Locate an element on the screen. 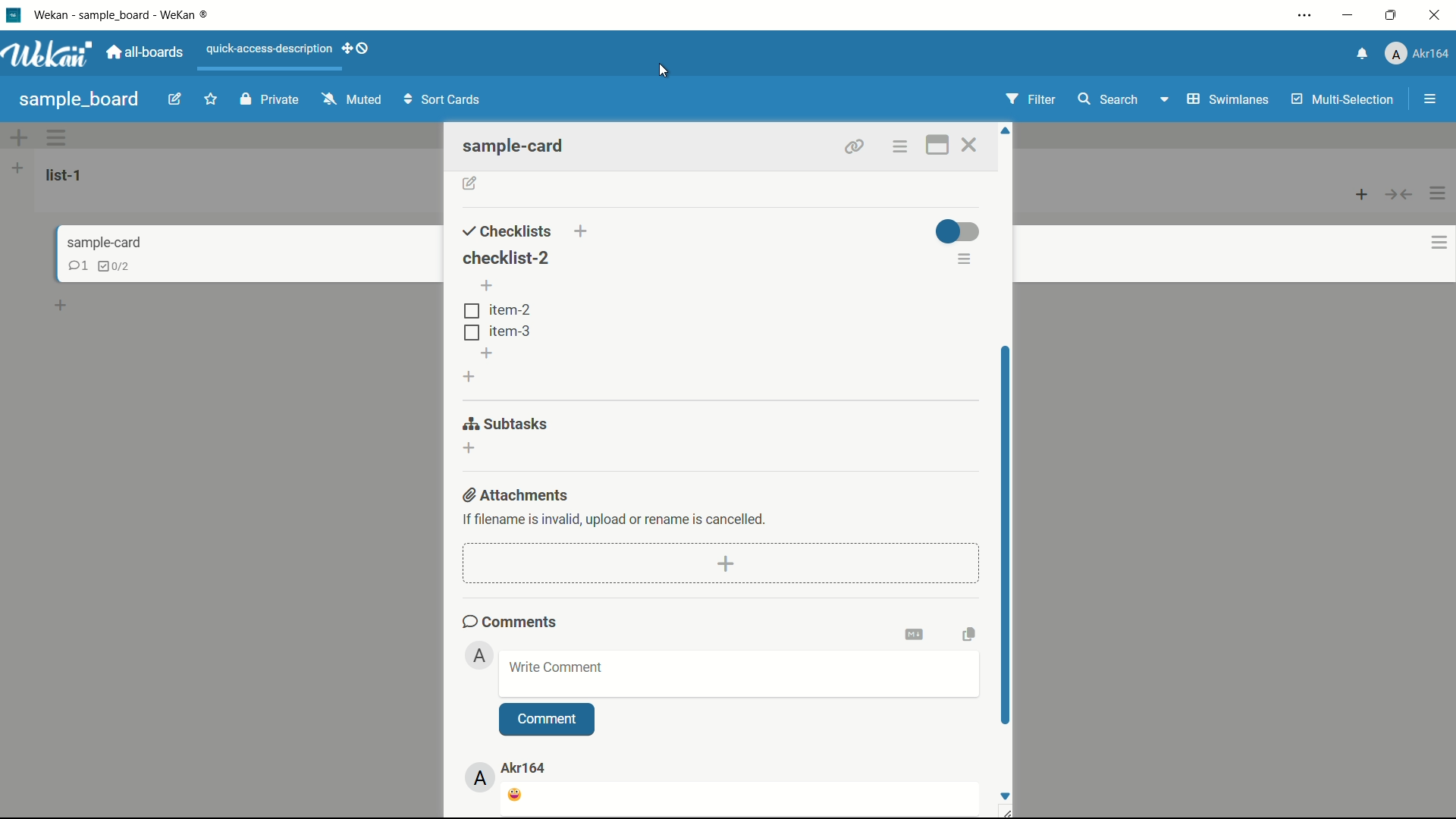 This screenshot has width=1456, height=819. copy text to clipboard is located at coordinates (968, 632).